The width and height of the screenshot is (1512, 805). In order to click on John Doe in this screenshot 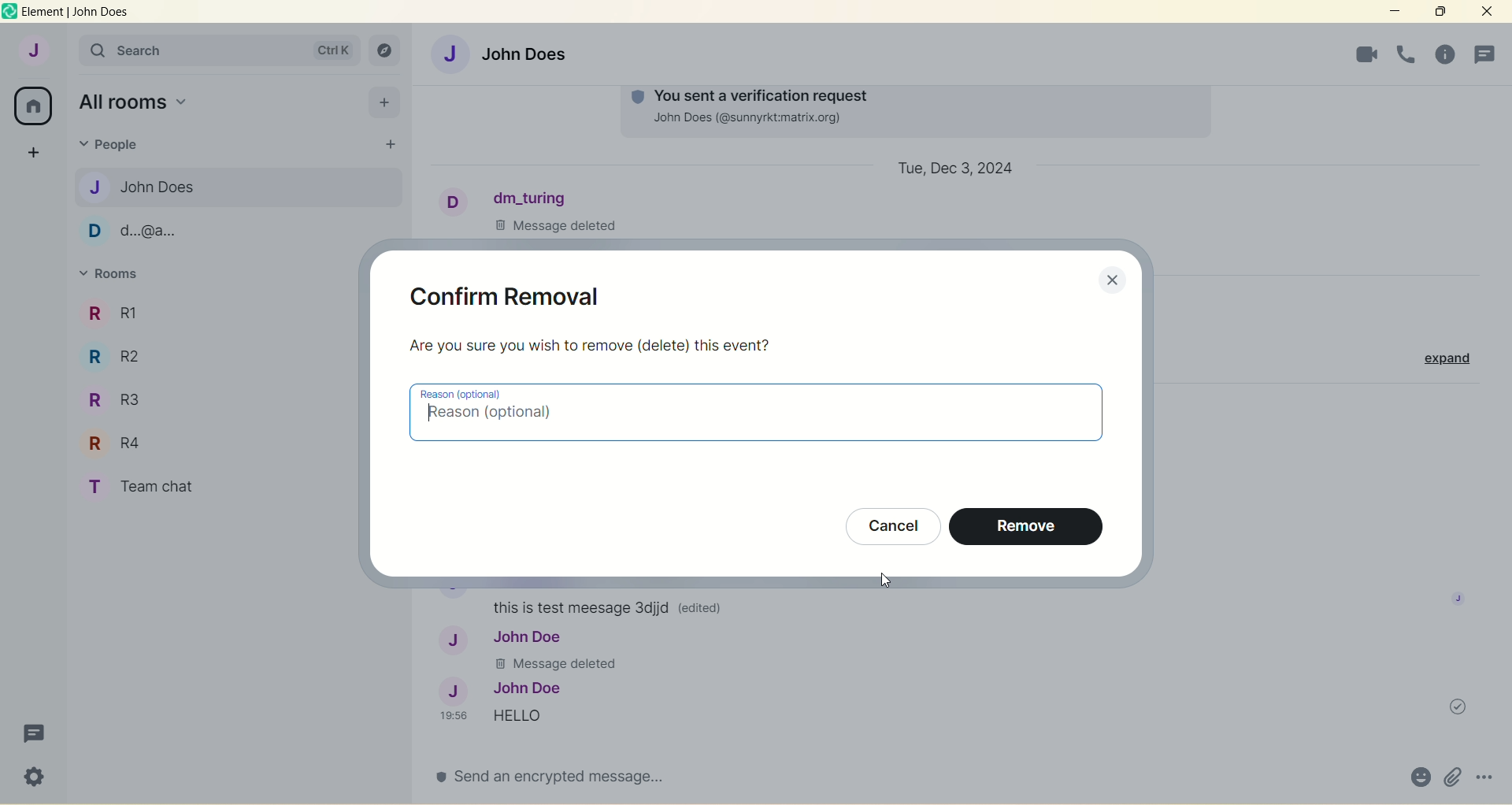, I will do `click(504, 638)`.